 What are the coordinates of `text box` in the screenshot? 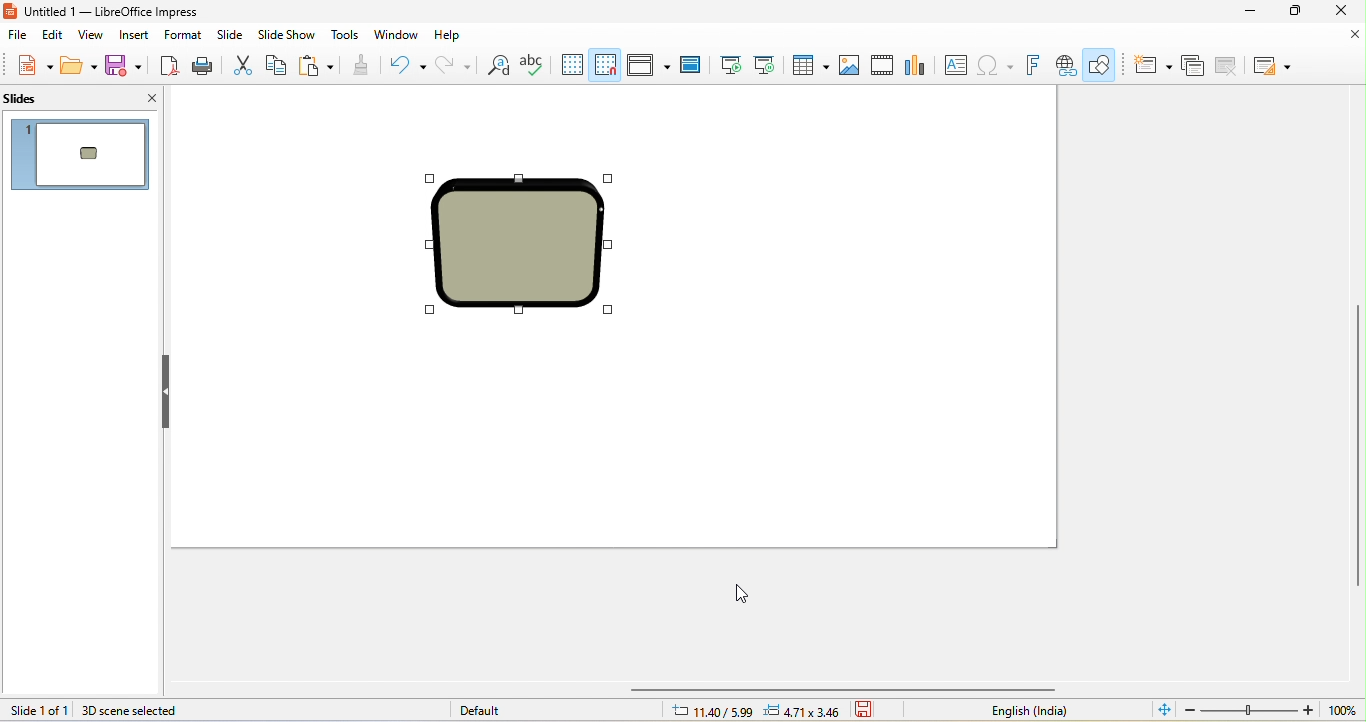 It's located at (958, 67).